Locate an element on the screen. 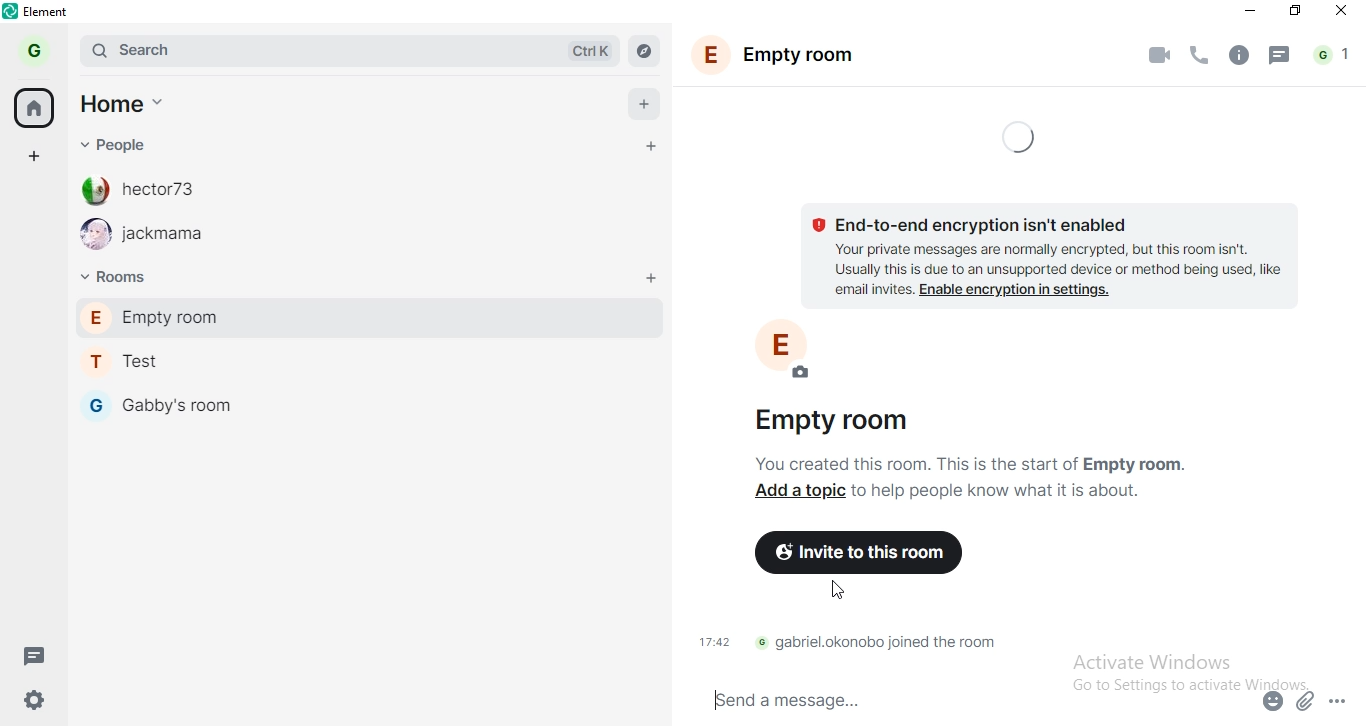  add space is located at coordinates (37, 164).